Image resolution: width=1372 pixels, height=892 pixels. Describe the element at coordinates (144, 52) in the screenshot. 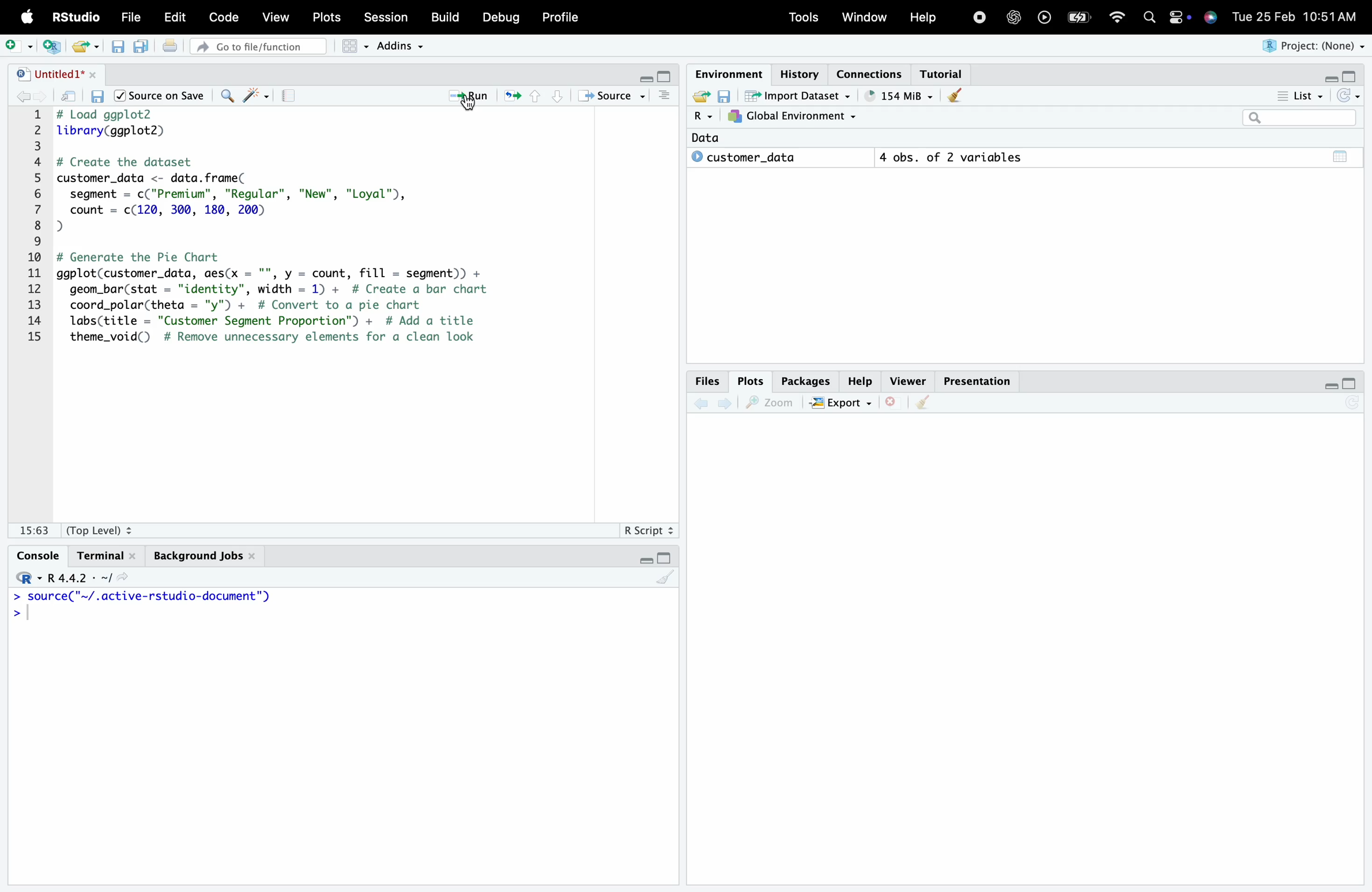

I see `save multiple scripts` at that location.